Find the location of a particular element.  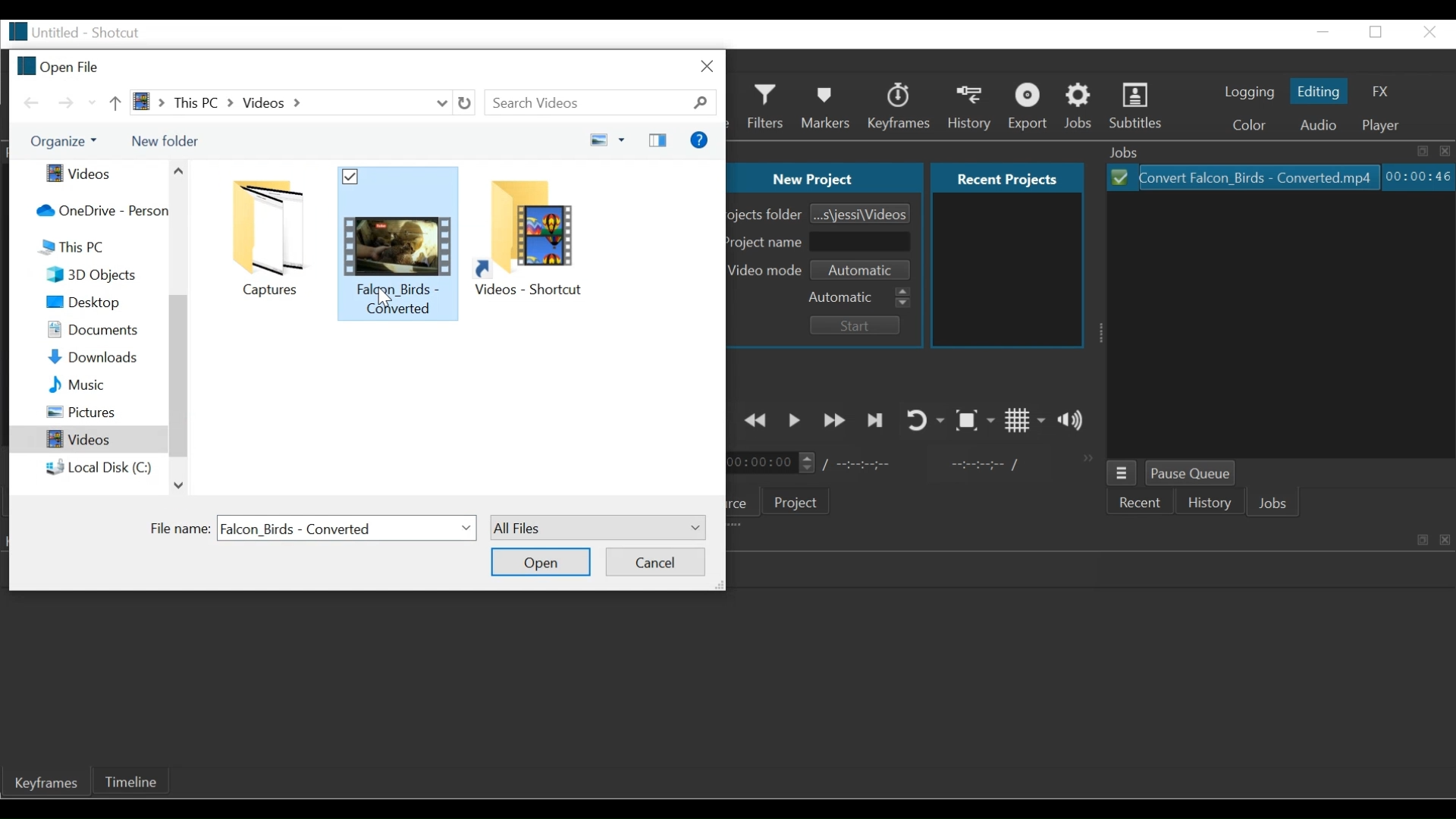

Go Back is located at coordinates (35, 102).